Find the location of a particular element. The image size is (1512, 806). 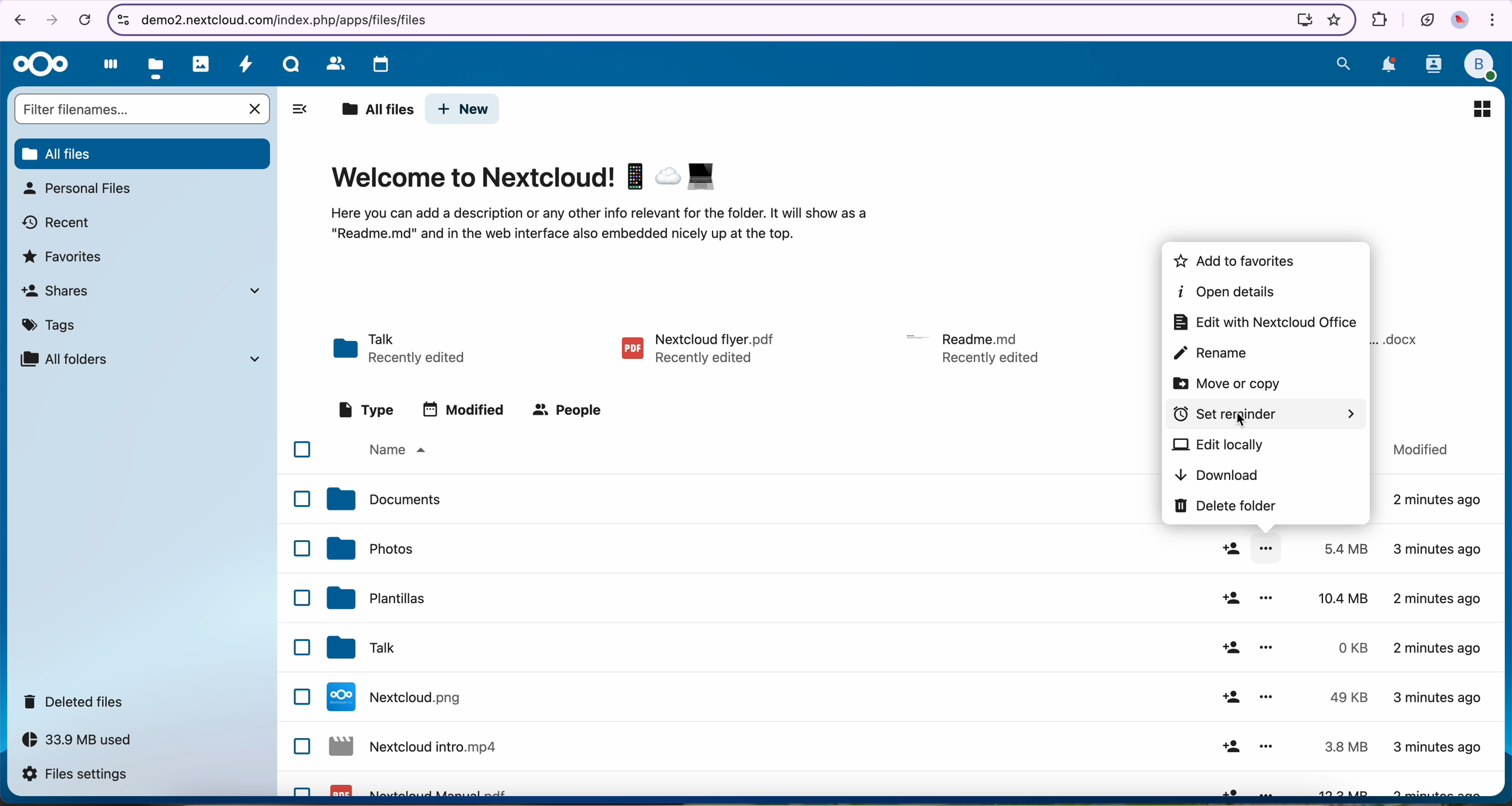

Talk is located at coordinates (292, 63).